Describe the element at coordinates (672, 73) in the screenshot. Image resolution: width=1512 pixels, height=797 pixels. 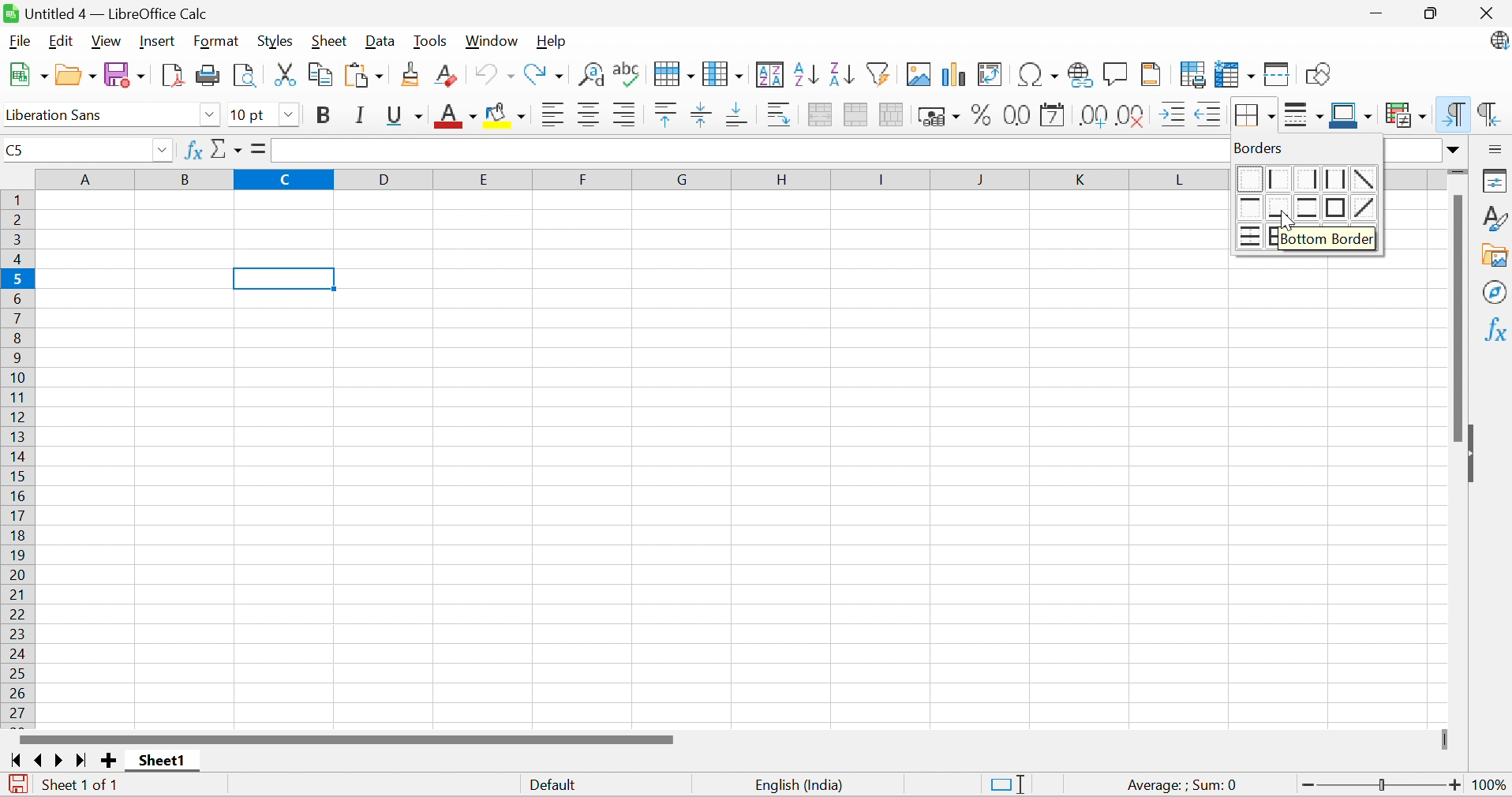
I see `Row` at that location.